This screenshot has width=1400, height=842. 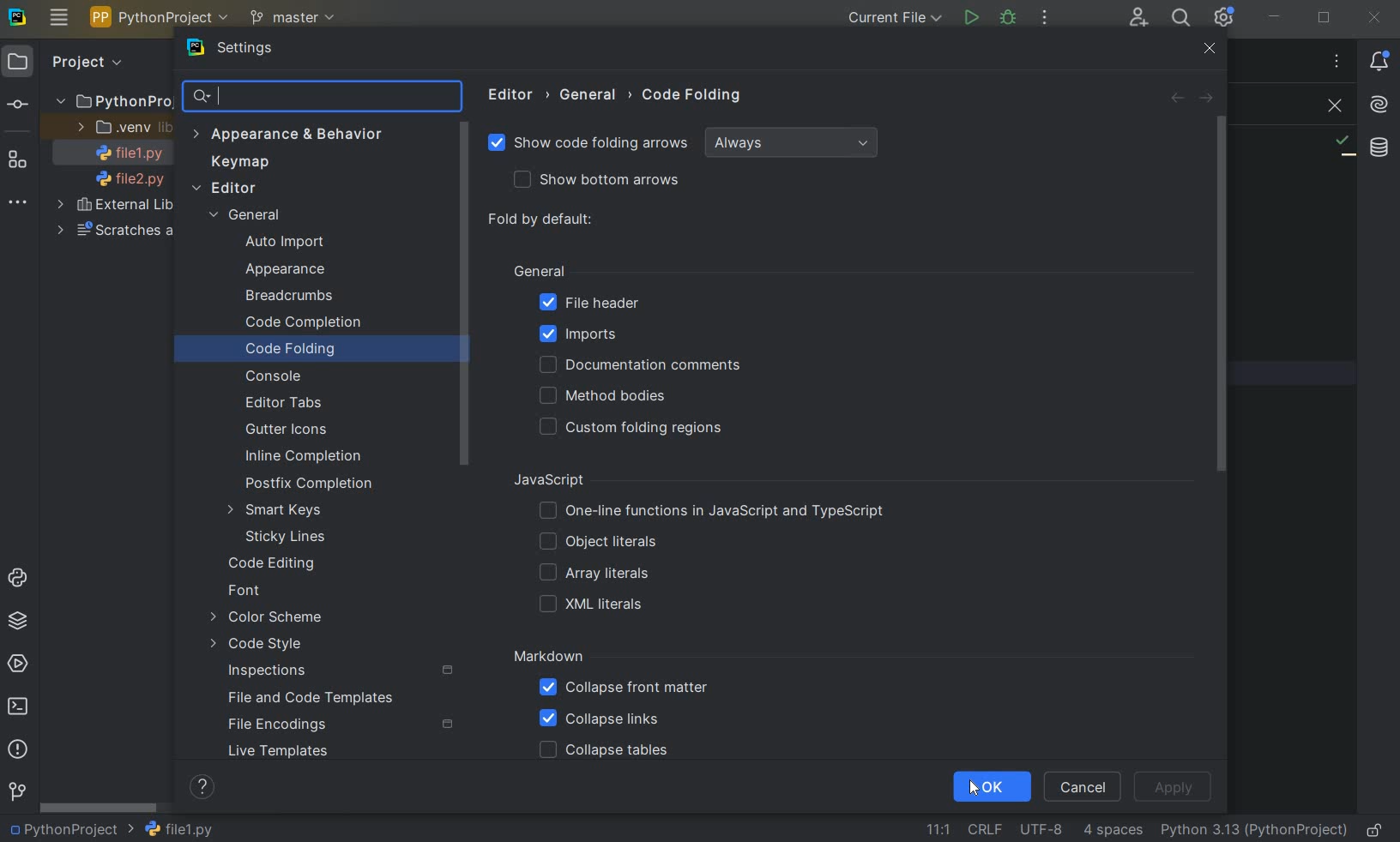 What do you see at coordinates (1176, 99) in the screenshot?
I see `BACK` at bounding box center [1176, 99].